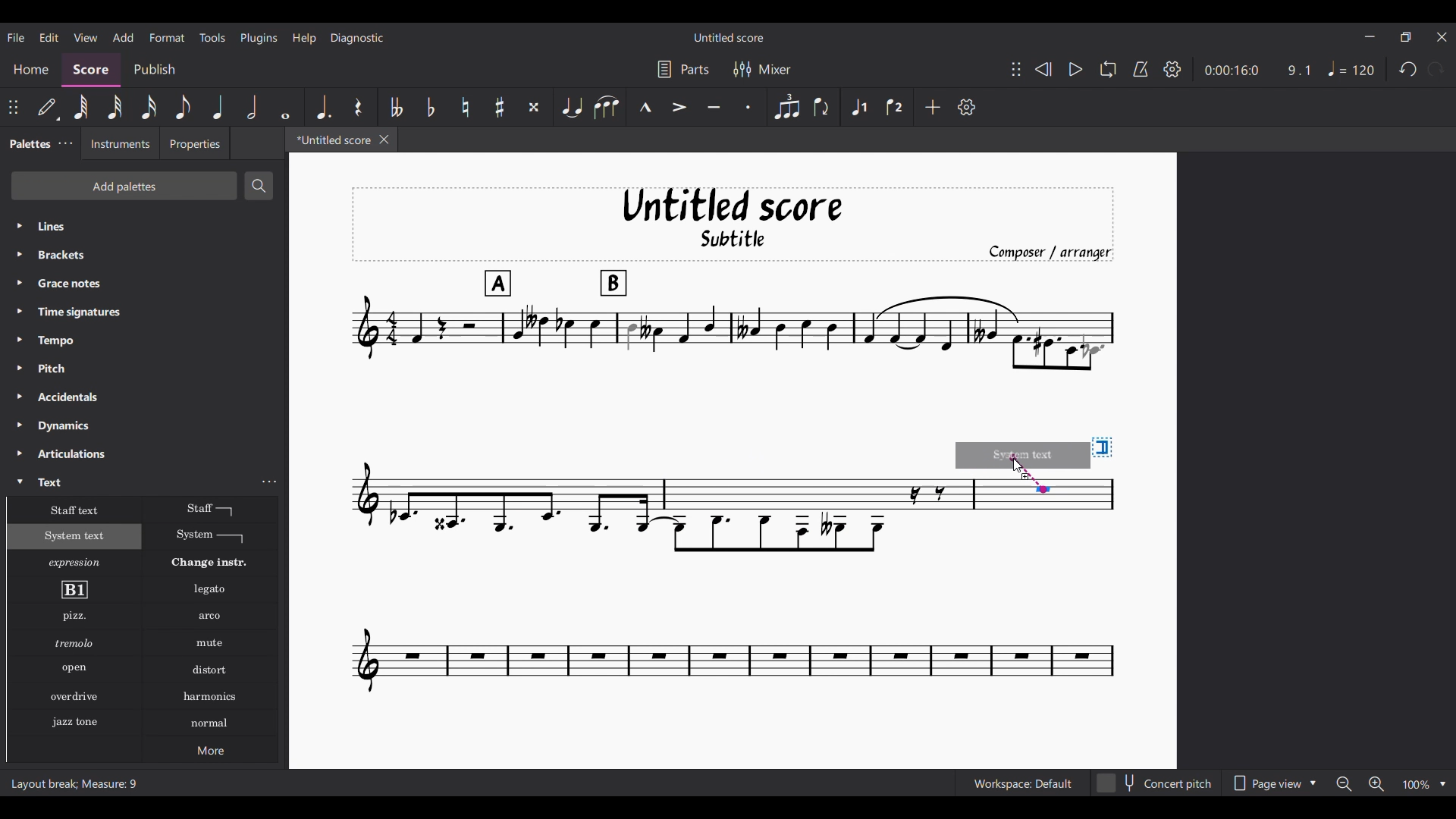 This screenshot has height=819, width=1456. I want to click on Slur, so click(607, 107).